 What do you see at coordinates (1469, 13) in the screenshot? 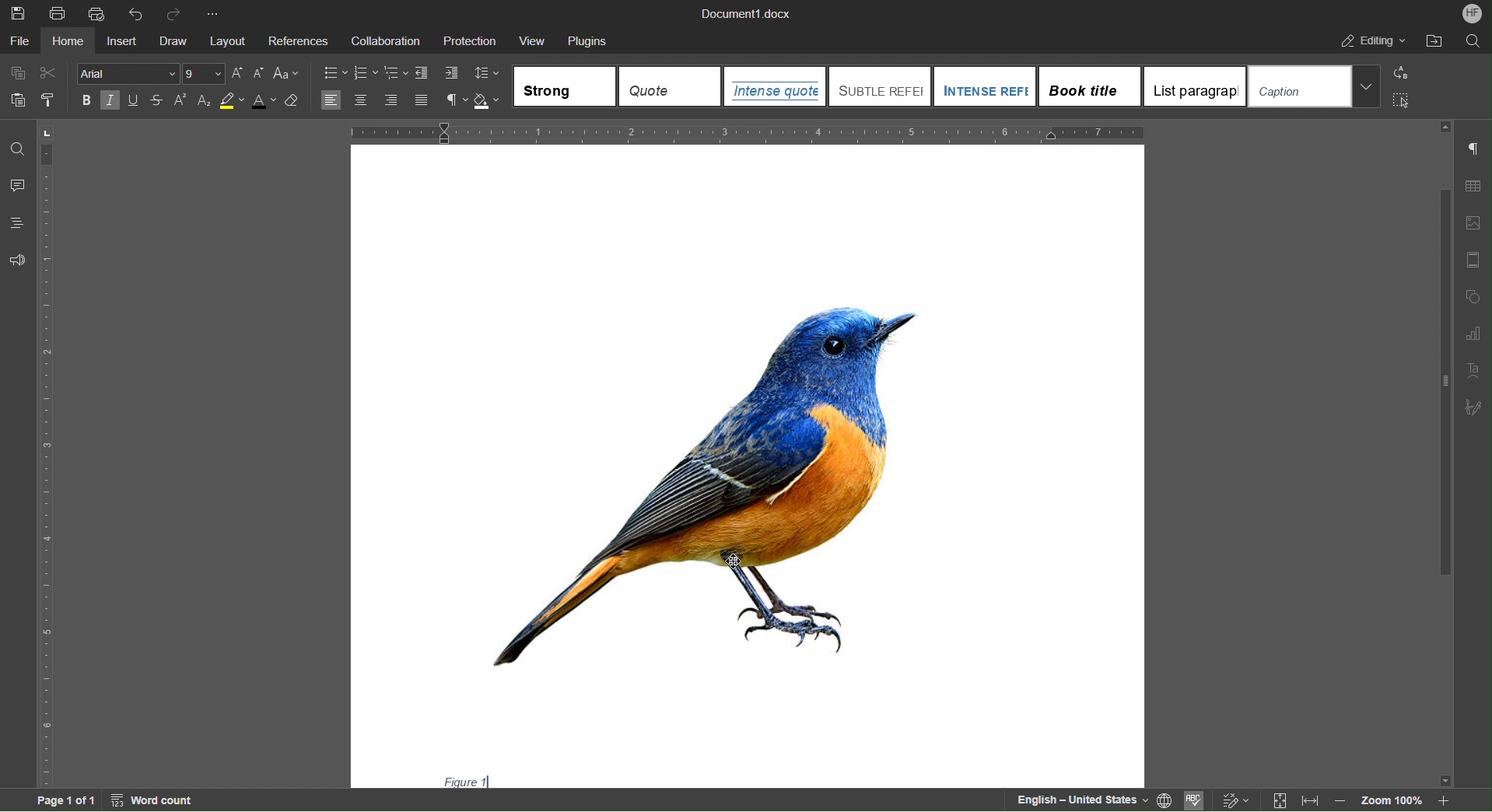
I see `Account` at bounding box center [1469, 13].